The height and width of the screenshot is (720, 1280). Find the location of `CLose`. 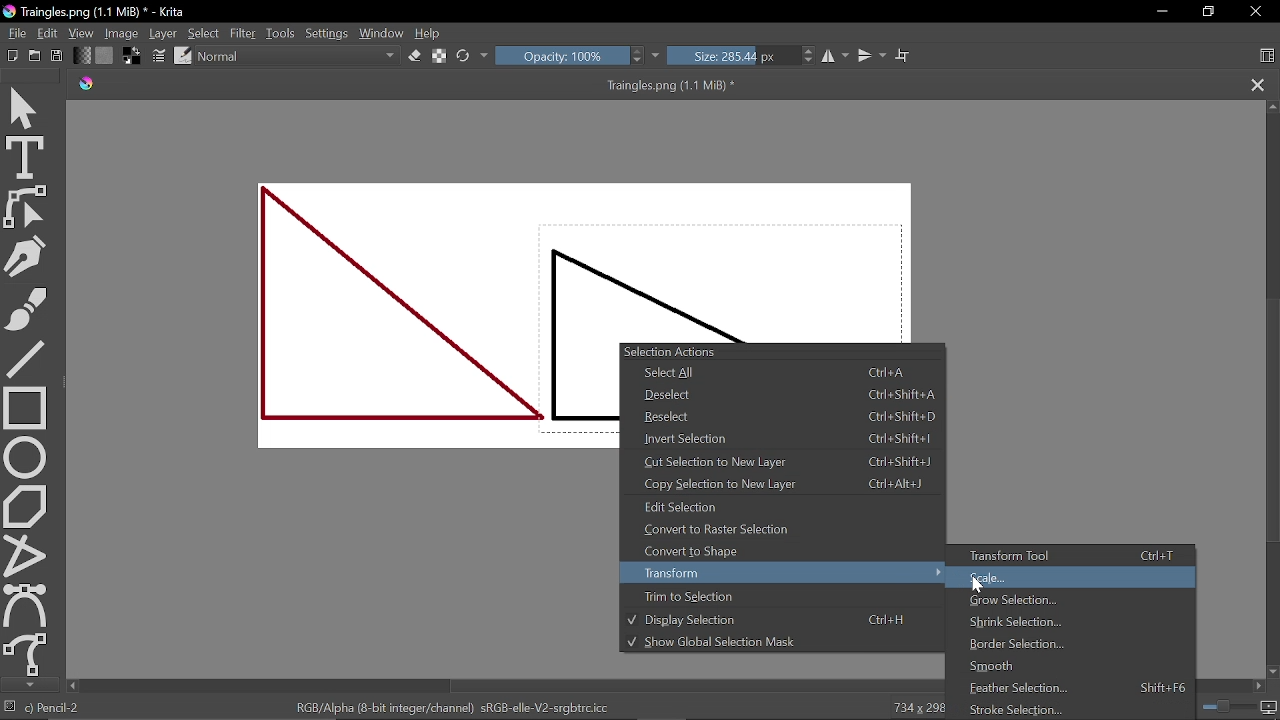

CLose is located at coordinates (1256, 12).